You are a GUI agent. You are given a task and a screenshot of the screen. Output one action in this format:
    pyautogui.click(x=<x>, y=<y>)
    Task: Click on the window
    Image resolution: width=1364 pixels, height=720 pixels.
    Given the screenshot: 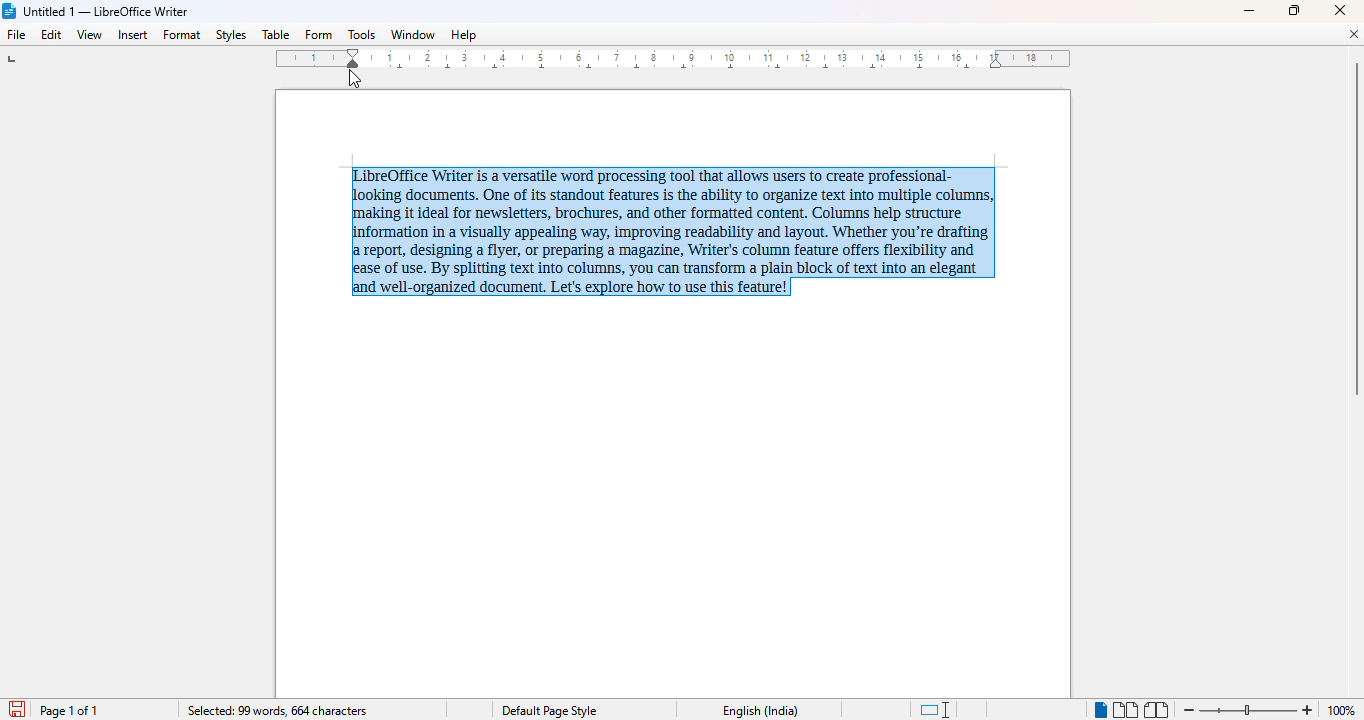 What is the action you would take?
    pyautogui.click(x=413, y=34)
    